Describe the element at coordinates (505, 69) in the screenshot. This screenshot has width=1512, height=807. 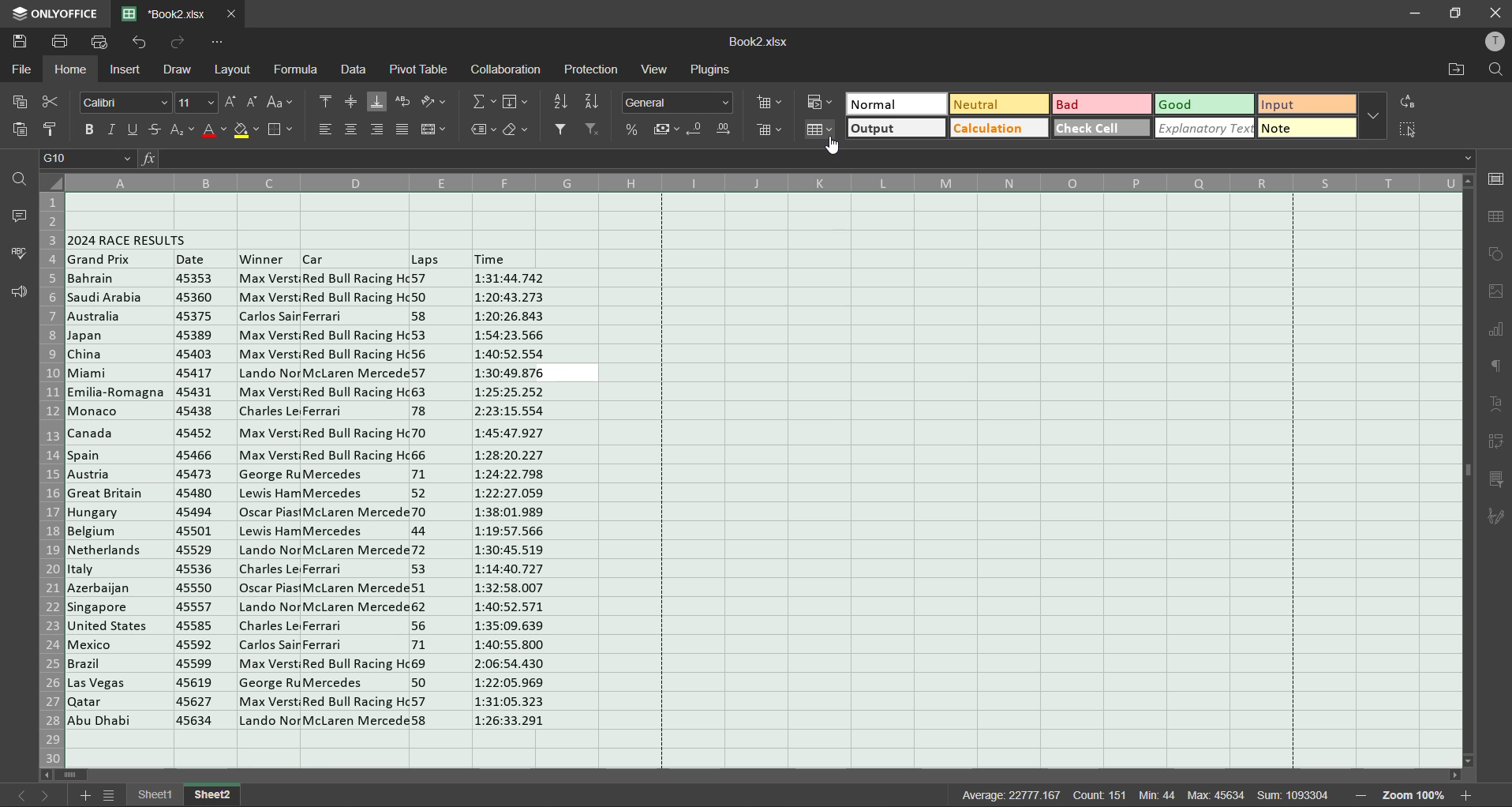
I see `collaboration` at that location.